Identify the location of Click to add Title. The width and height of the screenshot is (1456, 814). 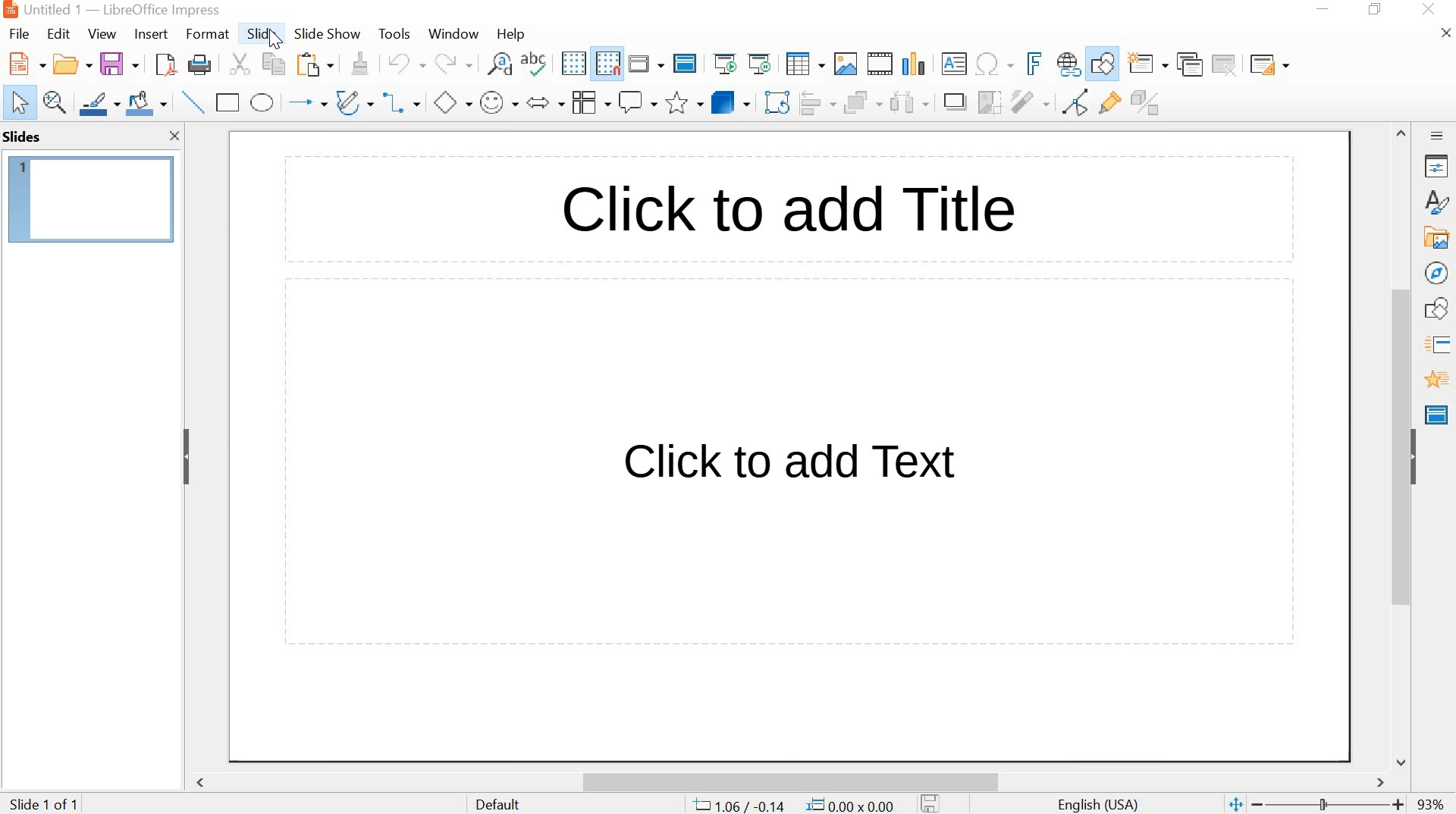
(827, 208).